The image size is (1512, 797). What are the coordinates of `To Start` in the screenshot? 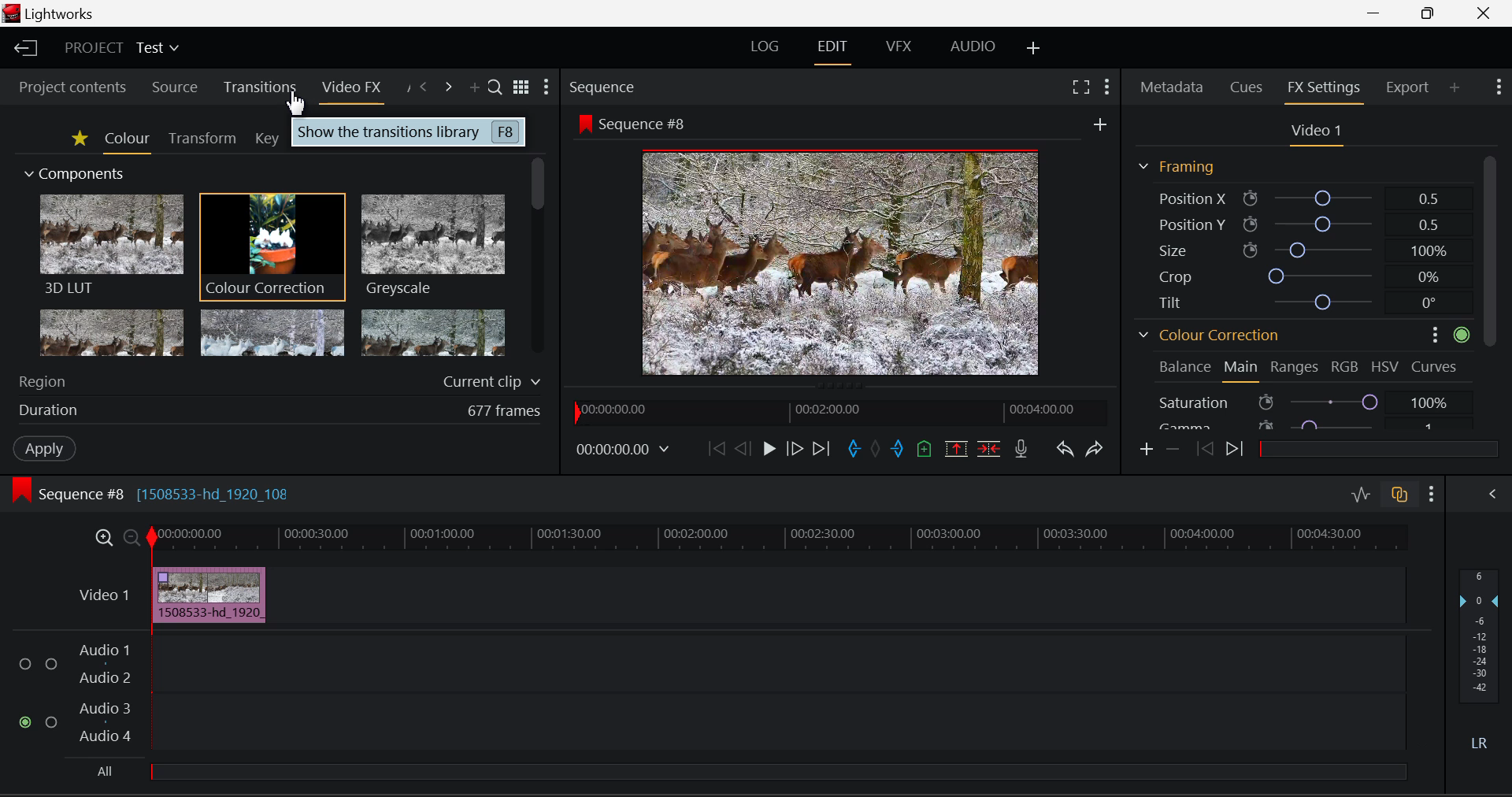 It's located at (715, 451).